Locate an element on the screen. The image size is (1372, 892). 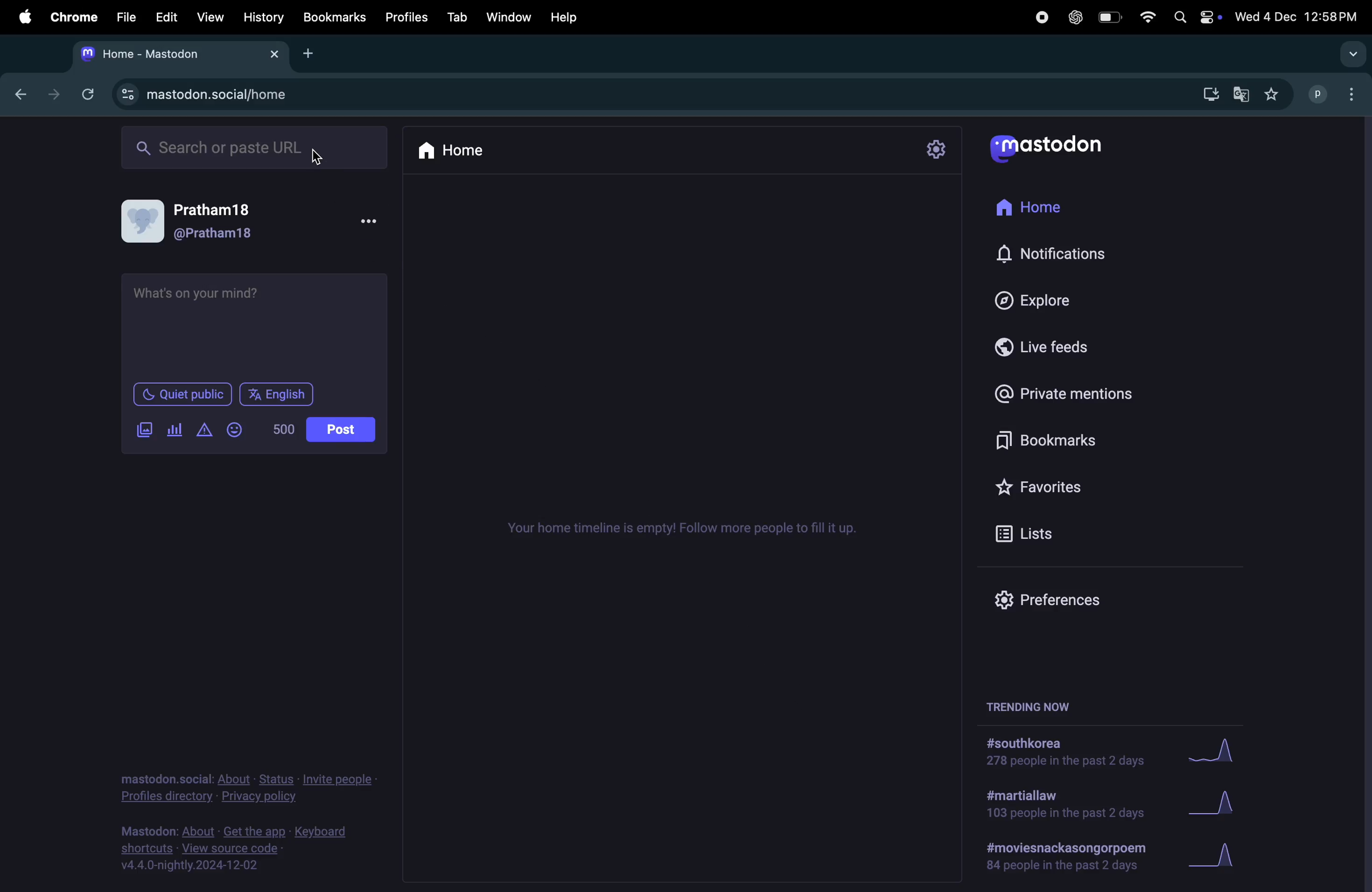
cursor is located at coordinates (315, 158).